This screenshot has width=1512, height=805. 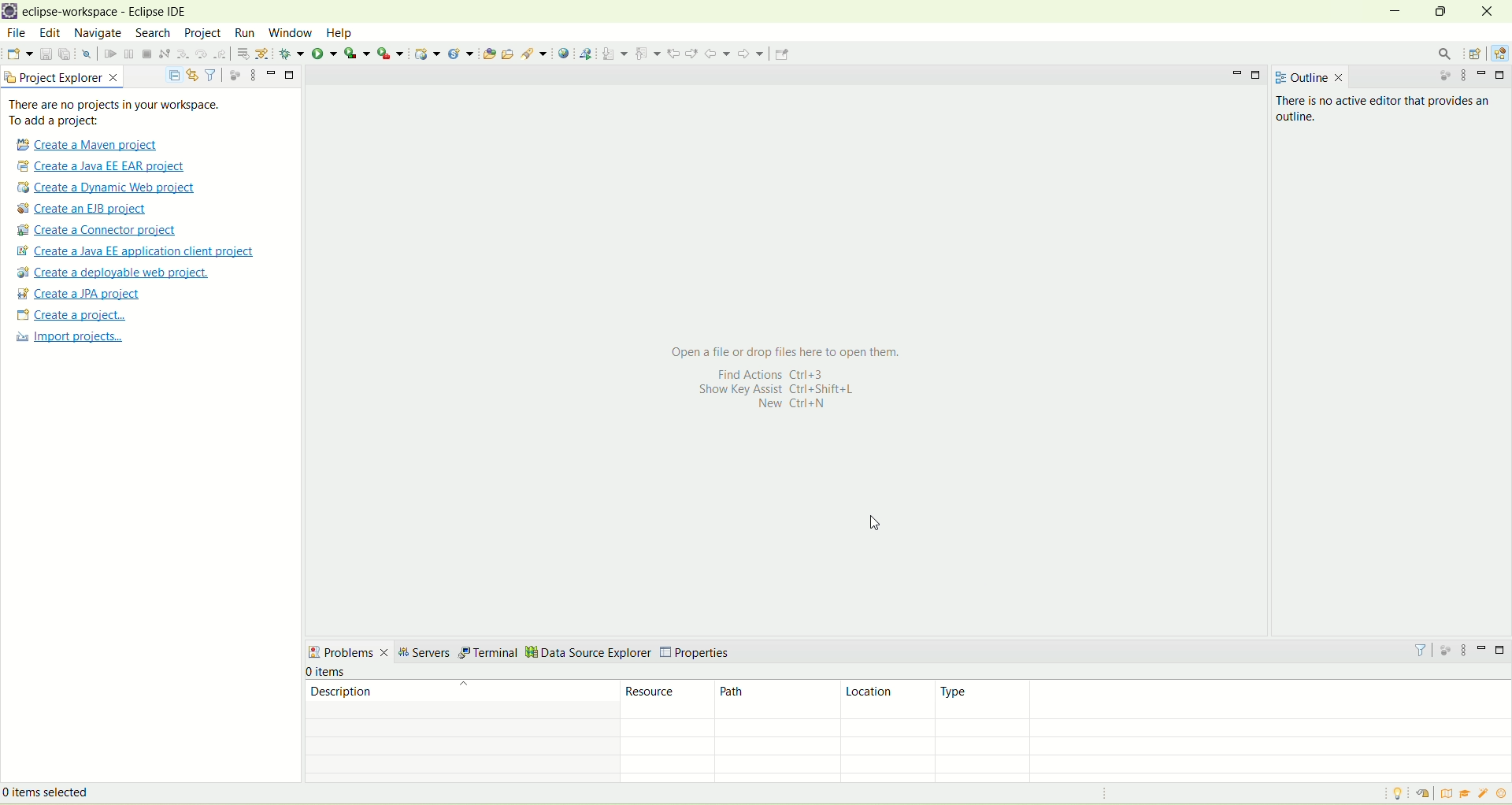 I want to click on run last tool, so click(x=451, y=54).